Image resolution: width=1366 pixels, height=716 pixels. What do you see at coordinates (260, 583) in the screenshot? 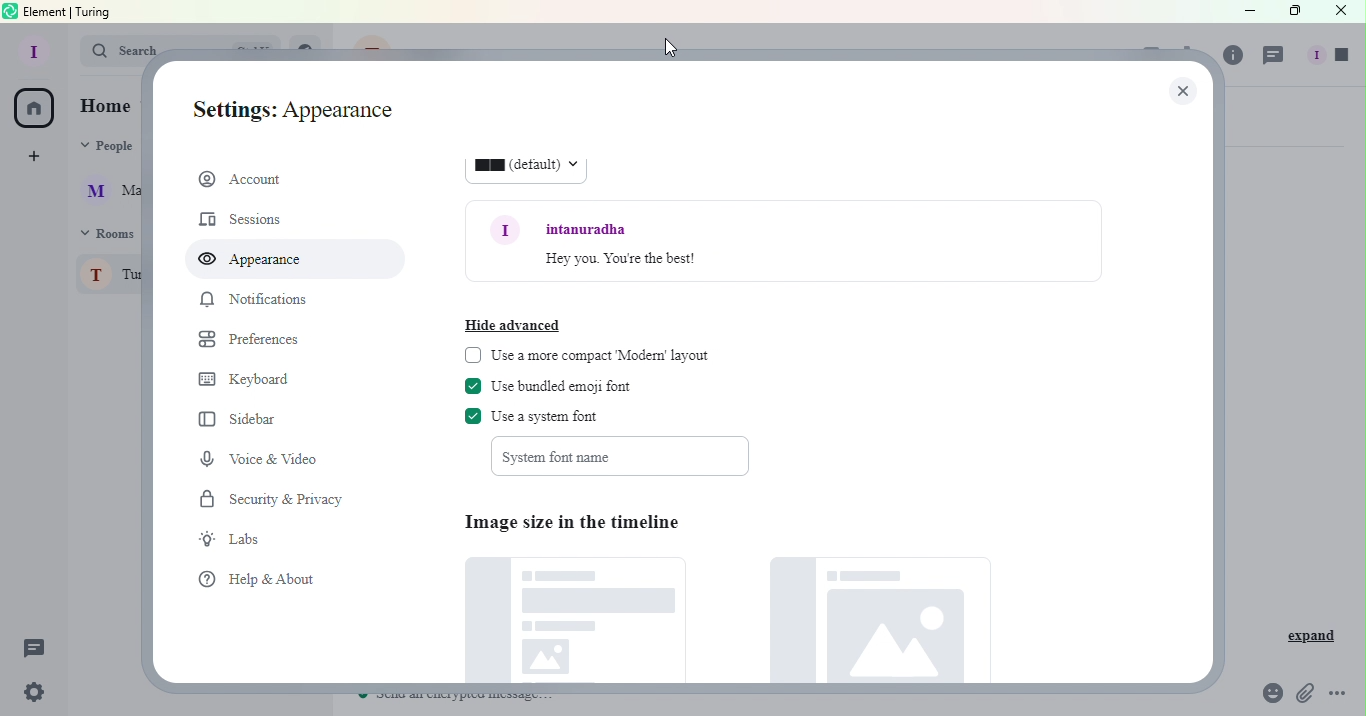
I see `Help and about` at bounding box center [260, 583].